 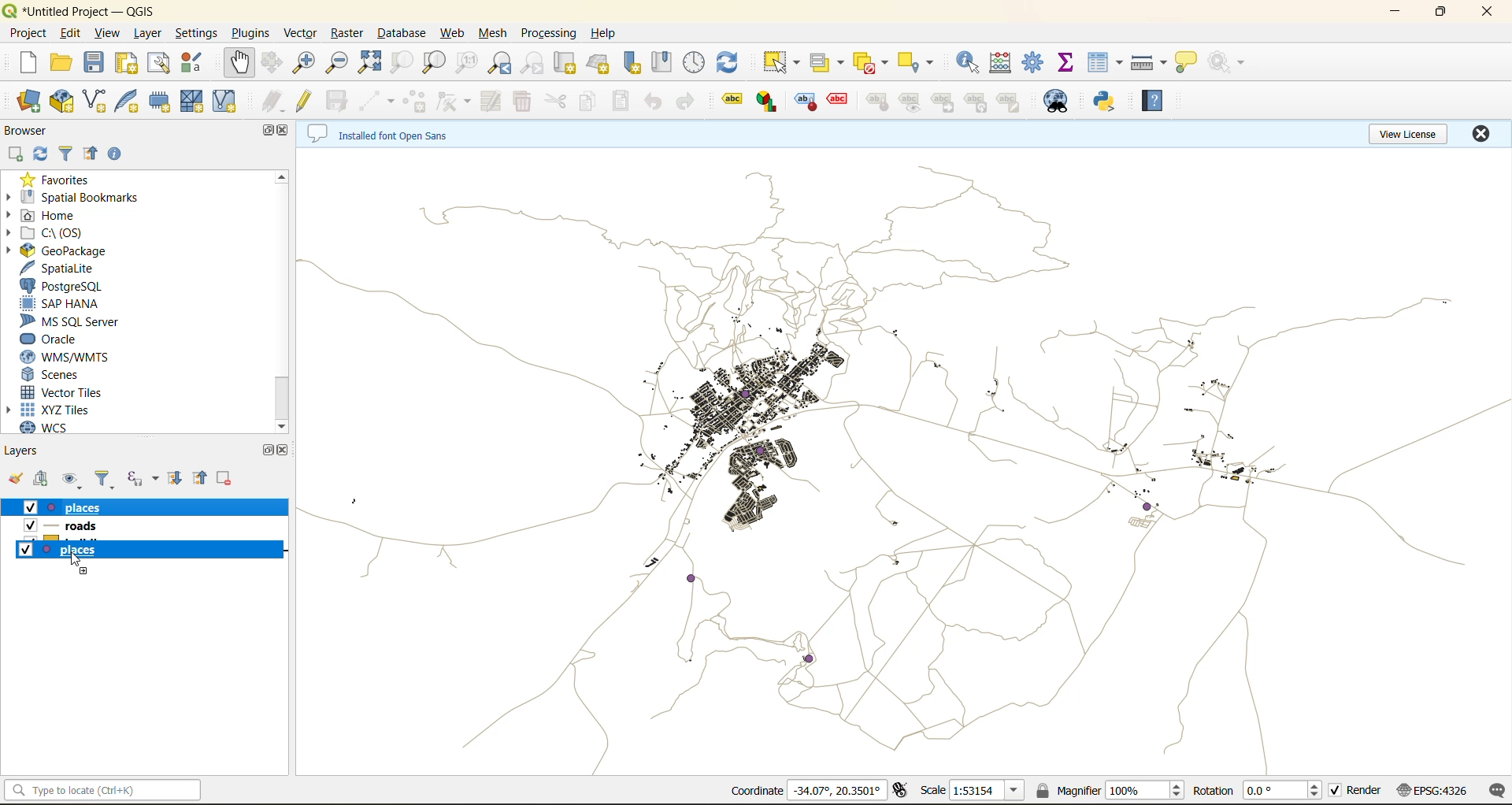 I want to click on style manager, so click(x=198, y=63).